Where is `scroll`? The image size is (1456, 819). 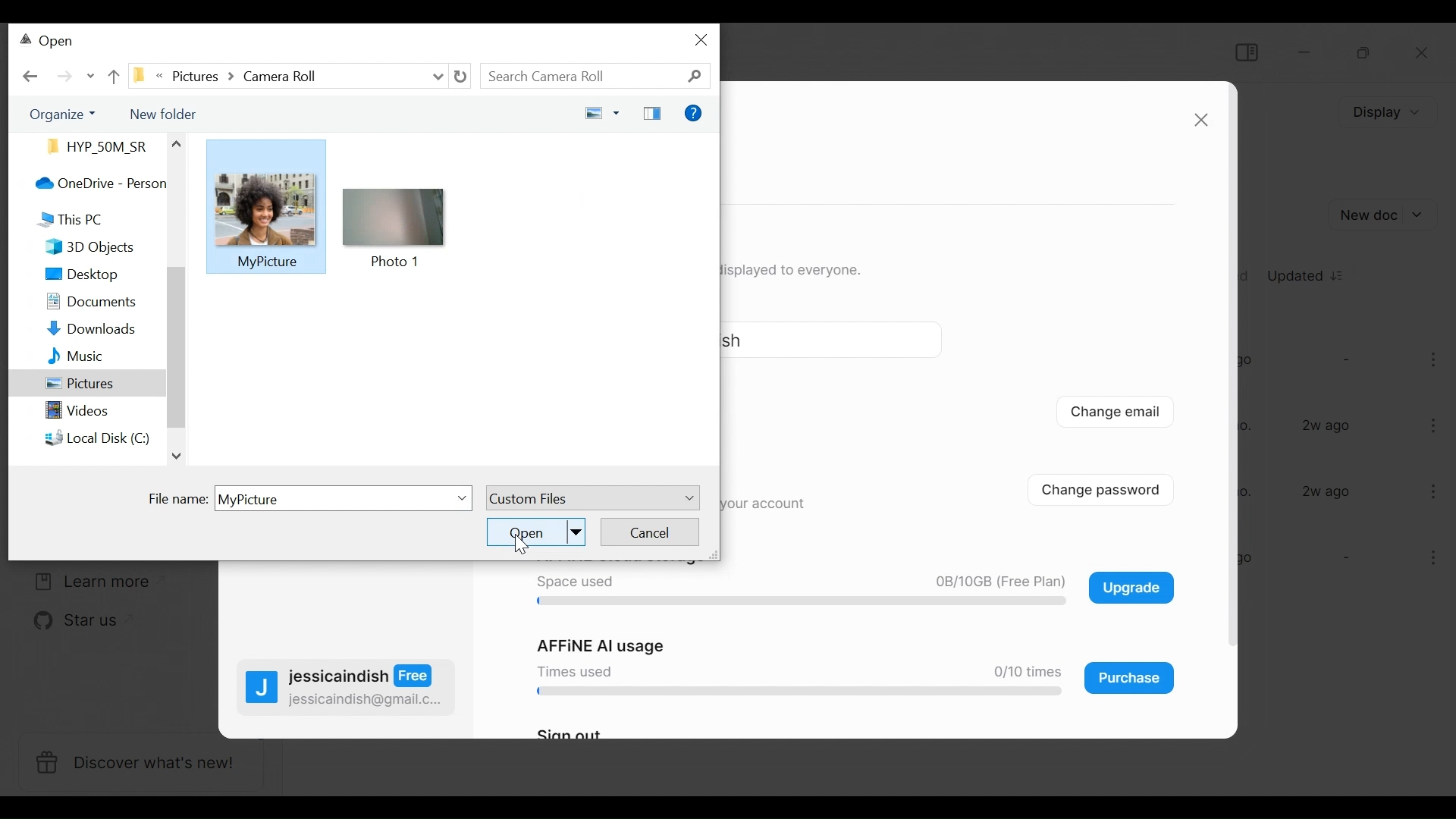
scroll is located at coordinates (177, 345).